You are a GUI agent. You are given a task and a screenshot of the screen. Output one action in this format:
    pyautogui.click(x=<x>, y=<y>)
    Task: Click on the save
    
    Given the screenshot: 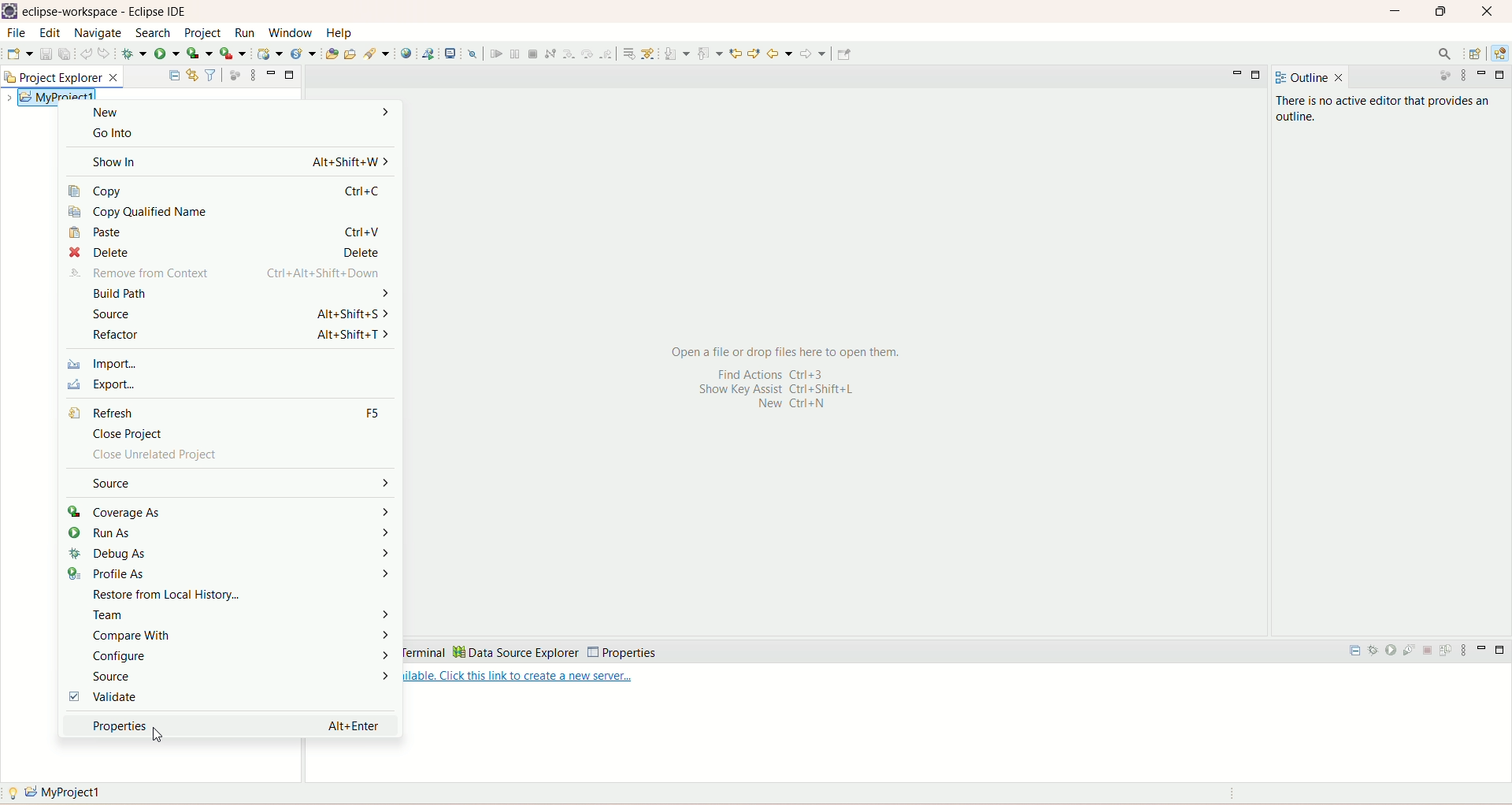 What is the action you would take?
    pyautogui.click(x=45, y=54)
    